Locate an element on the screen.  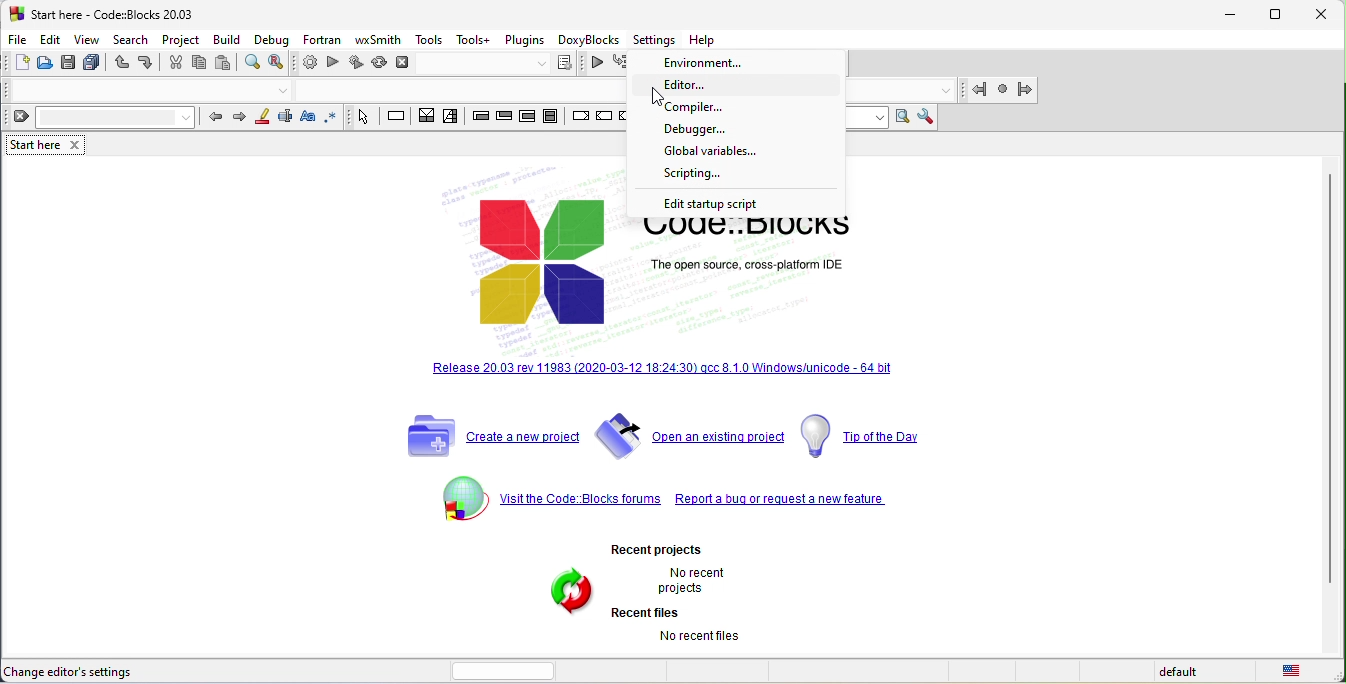
selected text is located at coordinates (289, 120).